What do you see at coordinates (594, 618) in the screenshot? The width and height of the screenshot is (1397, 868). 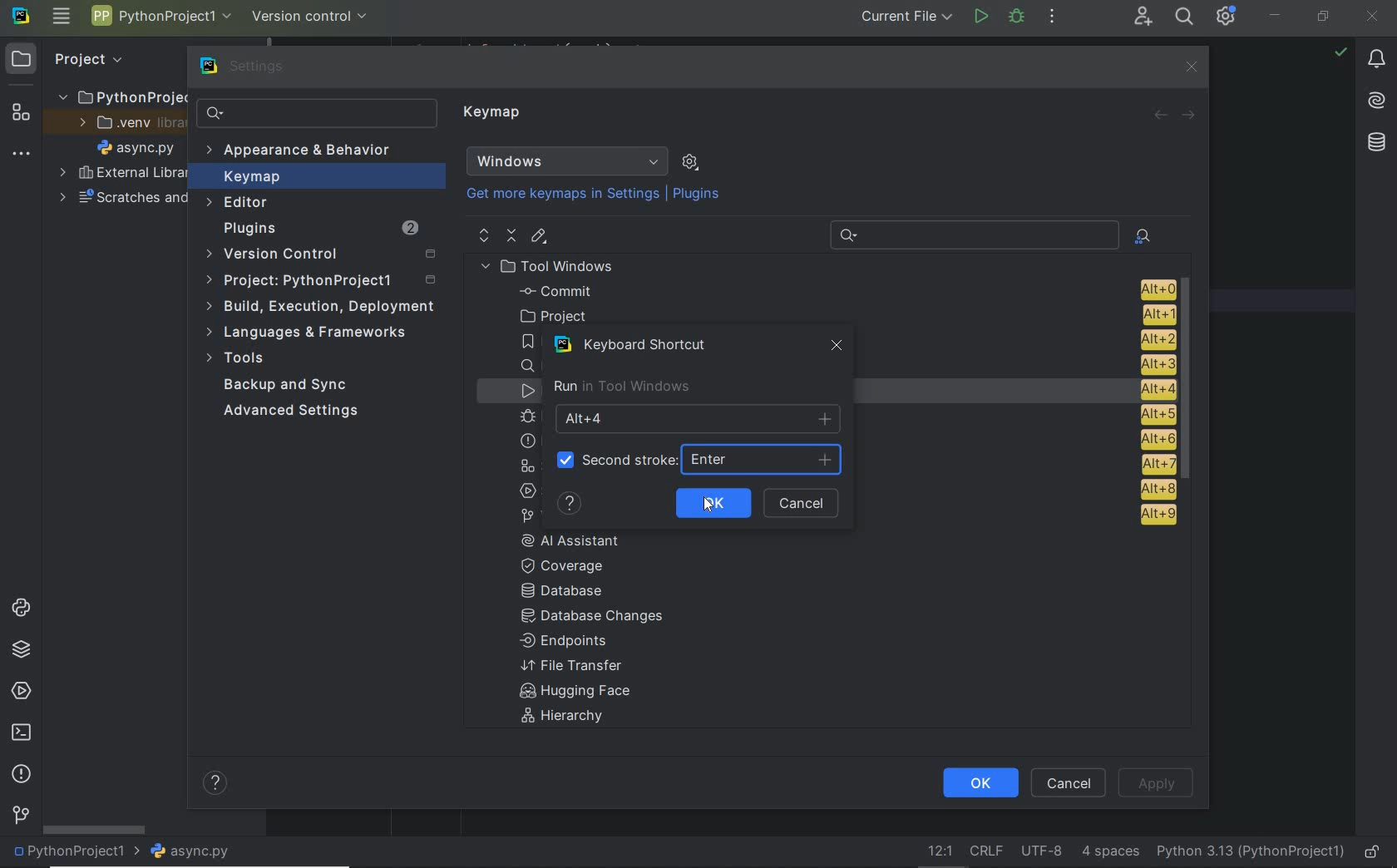 I see `Database changes` at bounding box center [594, 618].